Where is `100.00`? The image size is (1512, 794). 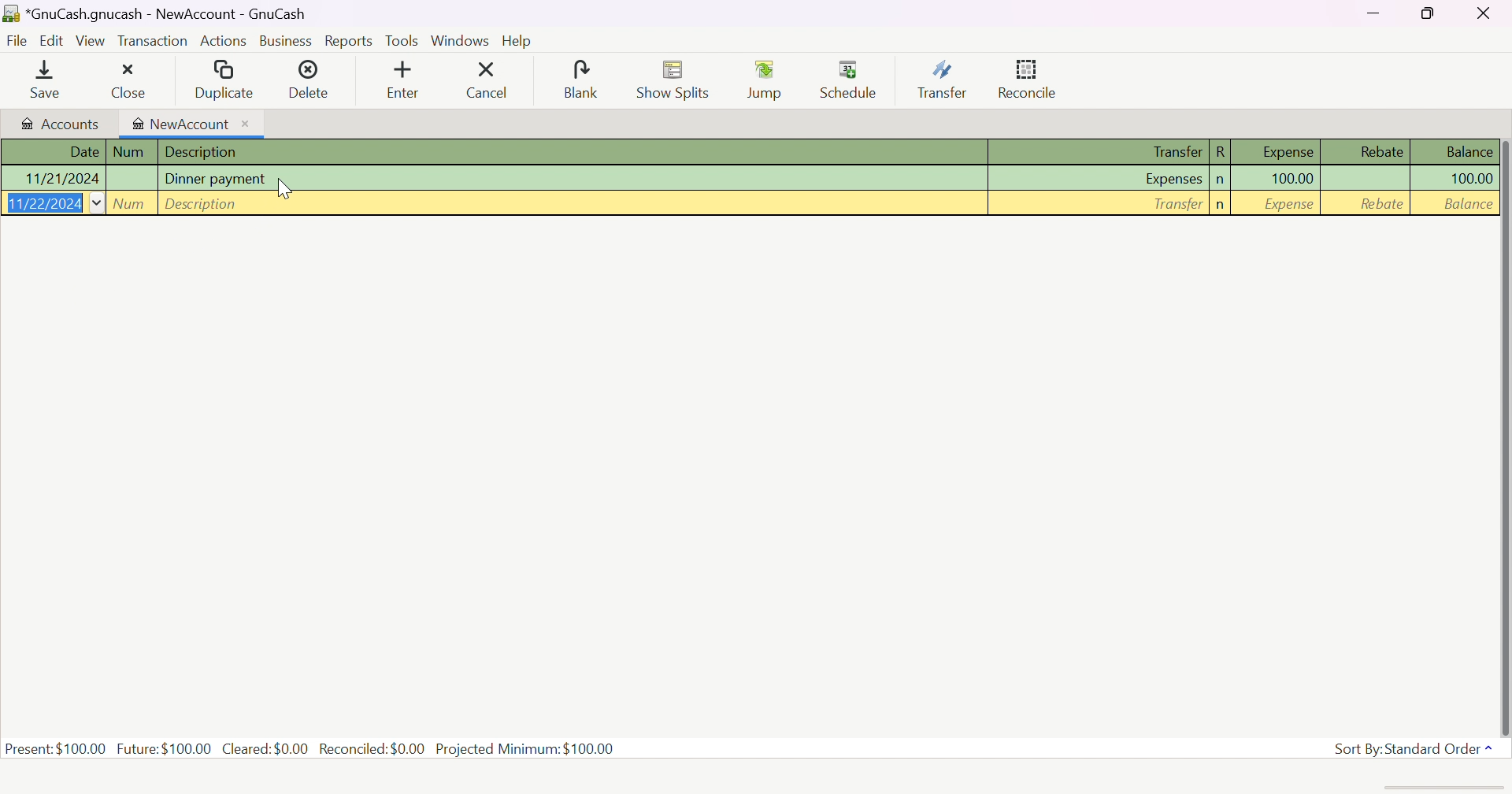 100.00 is located at coordinates (1462, 179).